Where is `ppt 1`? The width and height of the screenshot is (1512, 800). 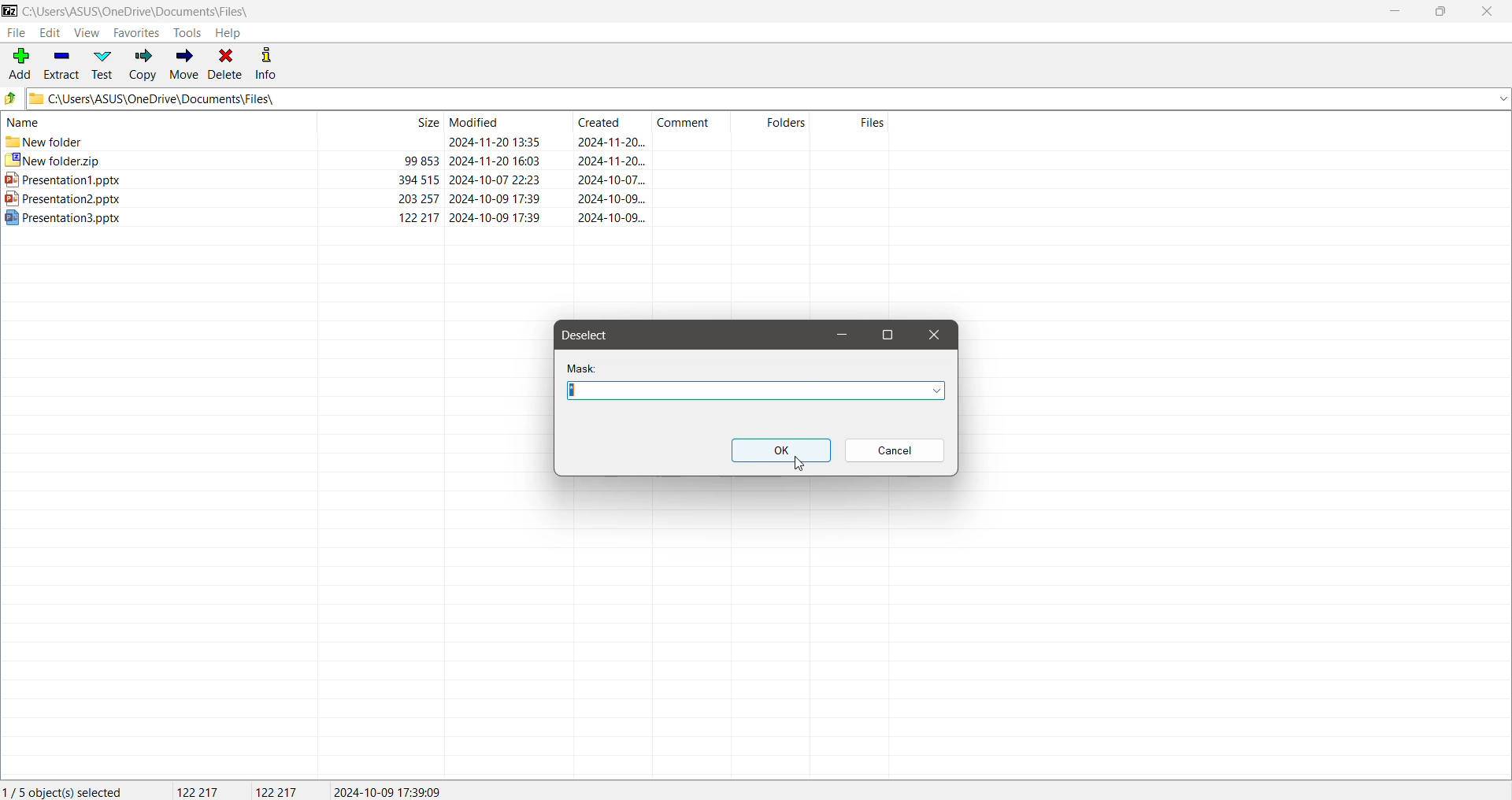
ppt 1 is located at coordinates (446, 180).